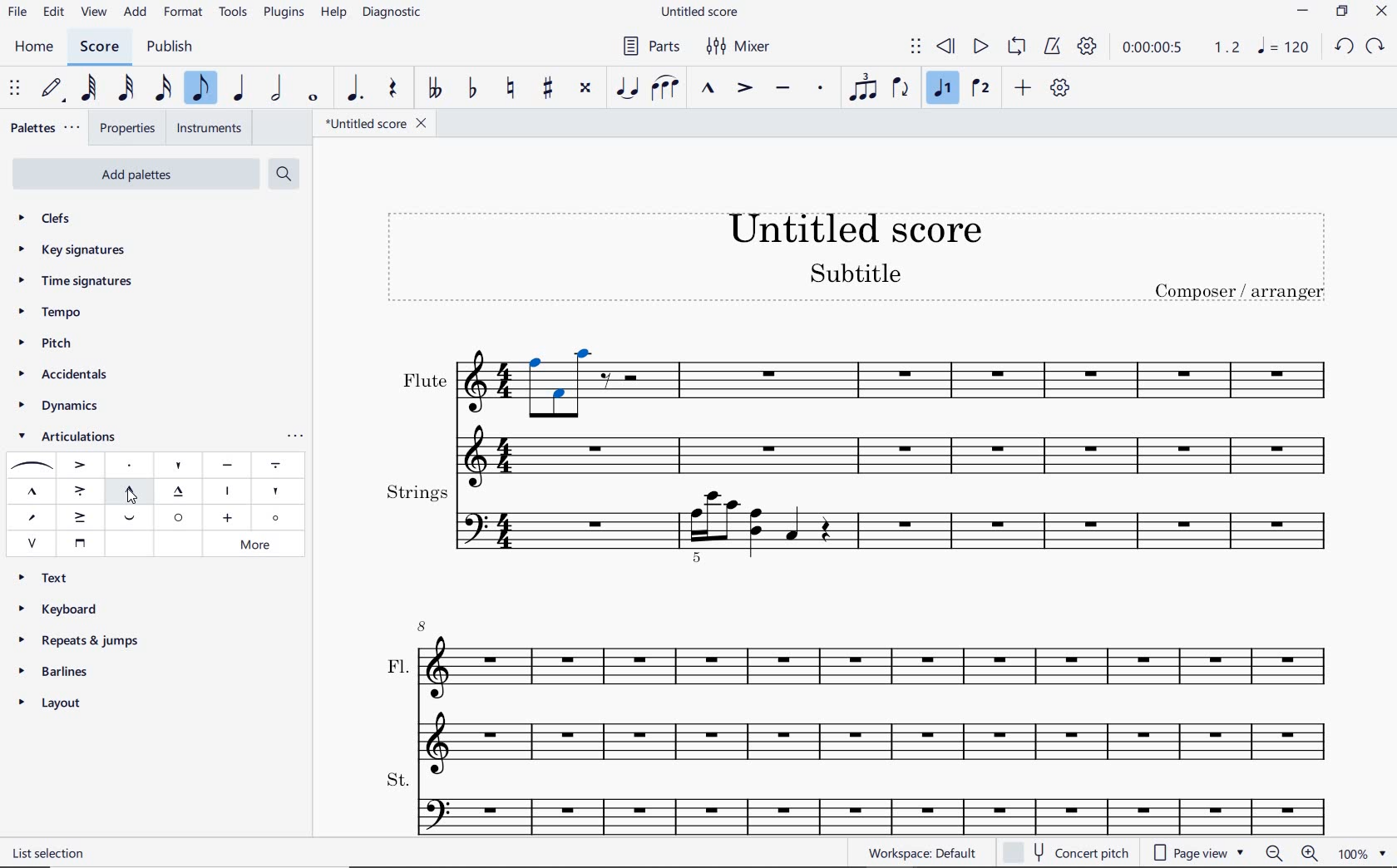  Describe the element at coordinates (980, 89) in the screenshot. I see `VOICE 2` at that location.